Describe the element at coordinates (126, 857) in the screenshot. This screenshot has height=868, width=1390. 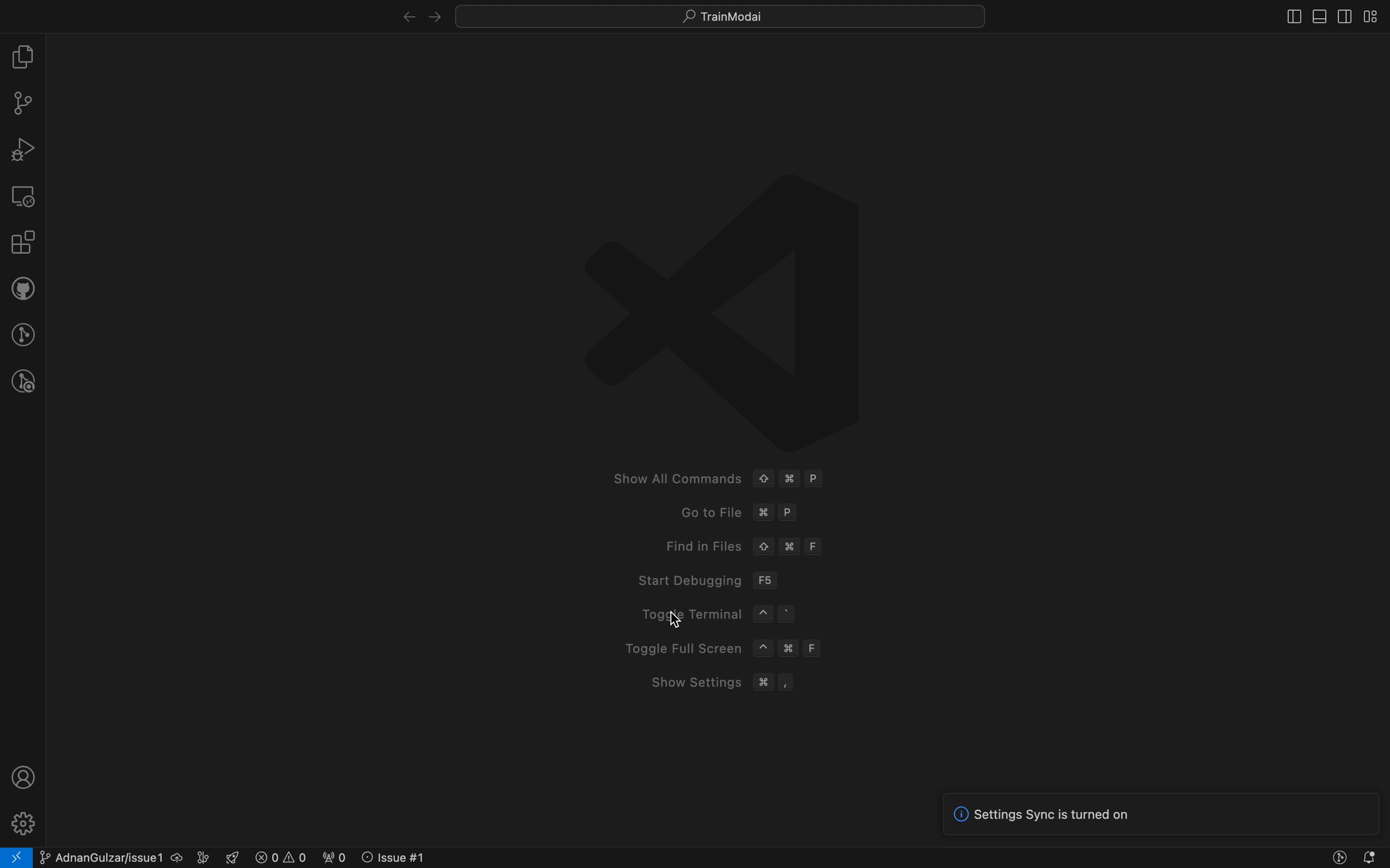
I see `current branch and issue` at that location.